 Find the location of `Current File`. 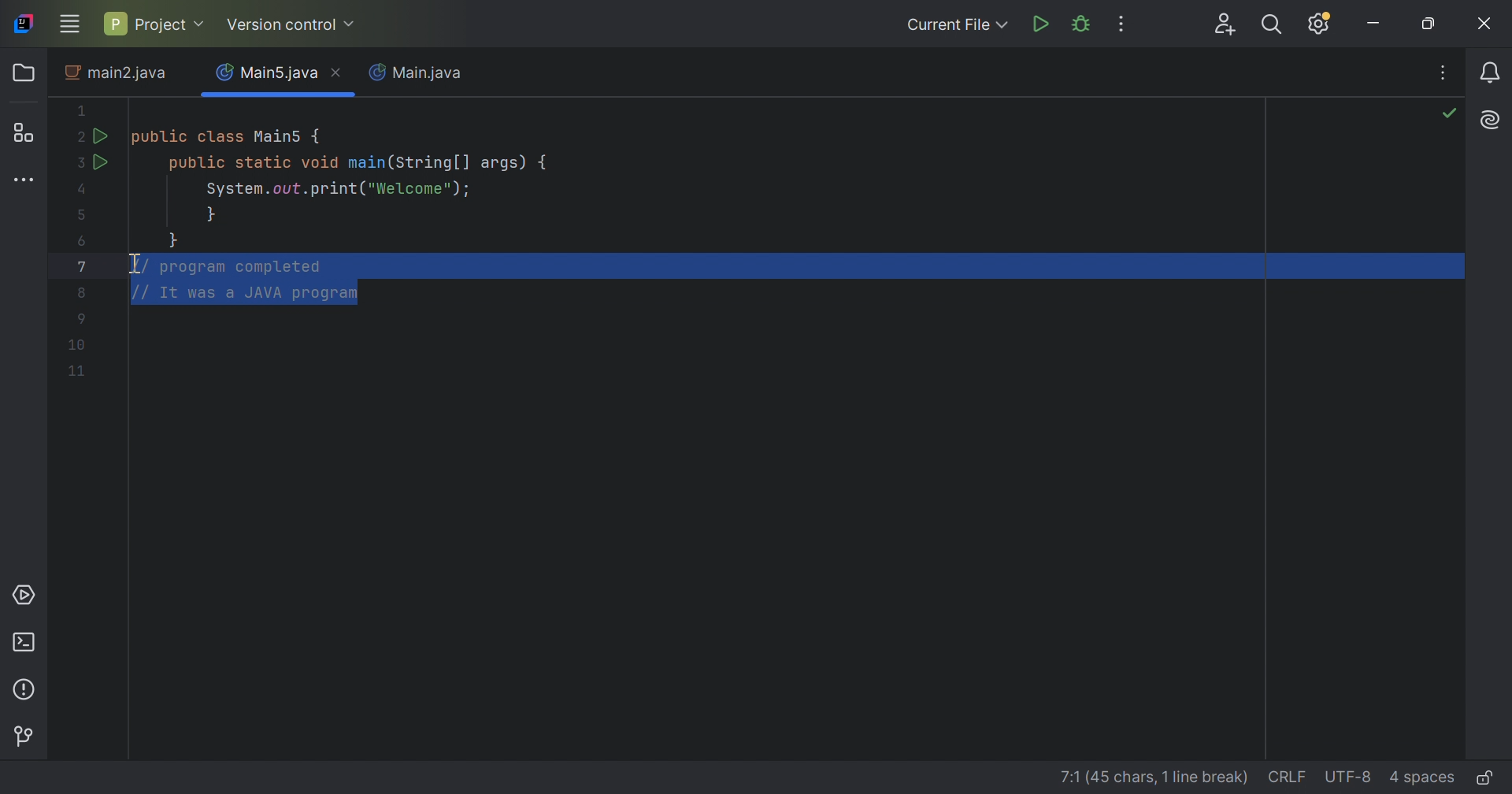

Current File is located at coordinates (958, 25).